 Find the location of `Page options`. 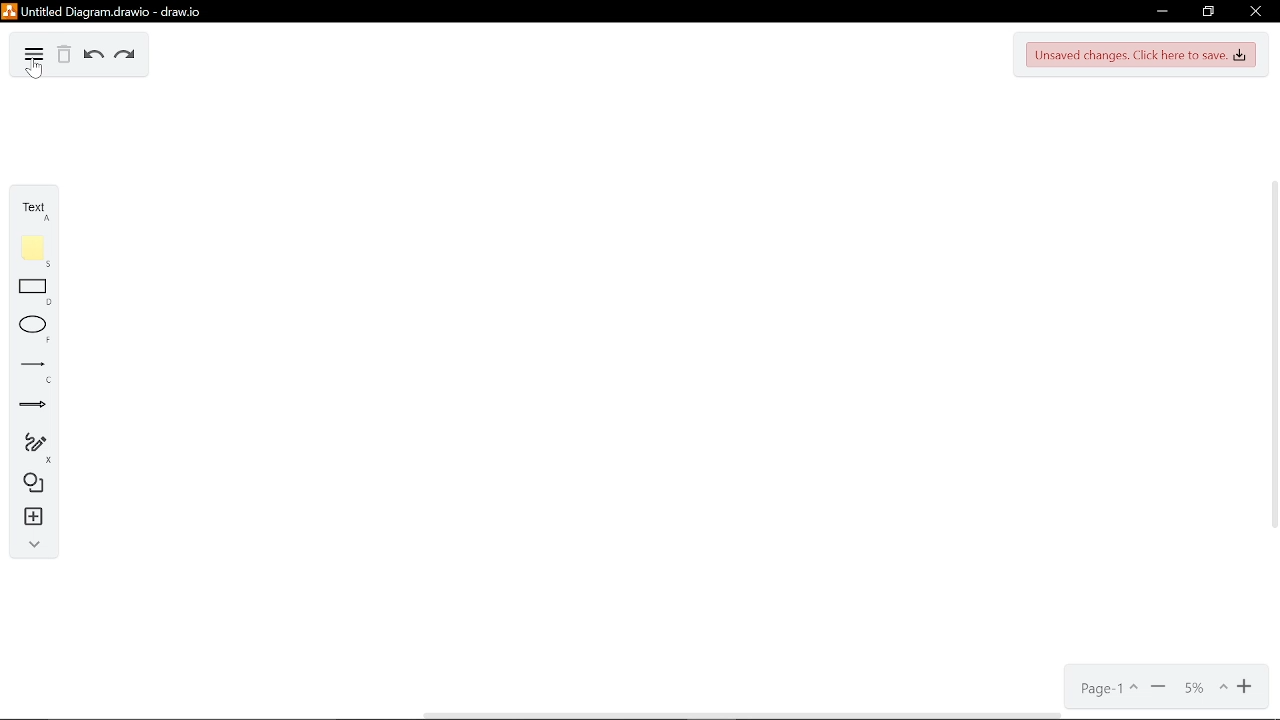

Page options is located at coordinates (1106, 687).